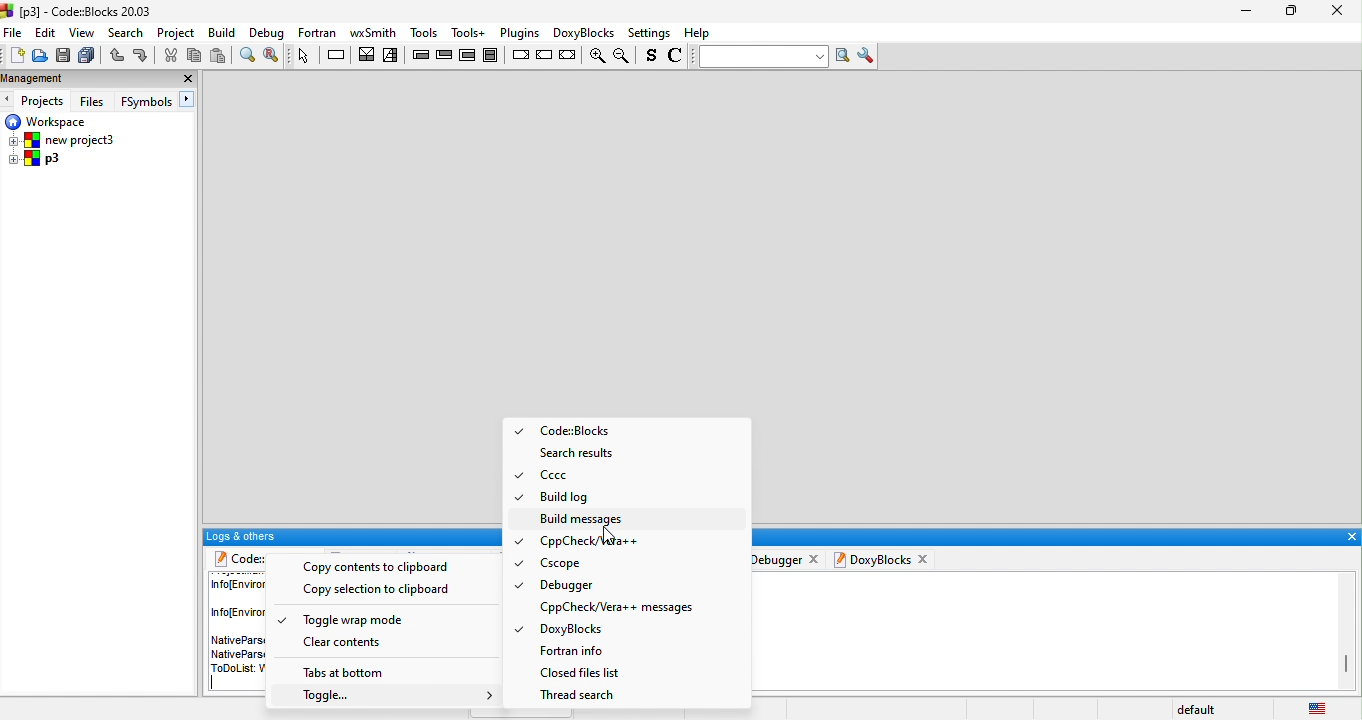 This screenshot has height=720, width=1362. I want to click on clear contents, so click(349, 644).